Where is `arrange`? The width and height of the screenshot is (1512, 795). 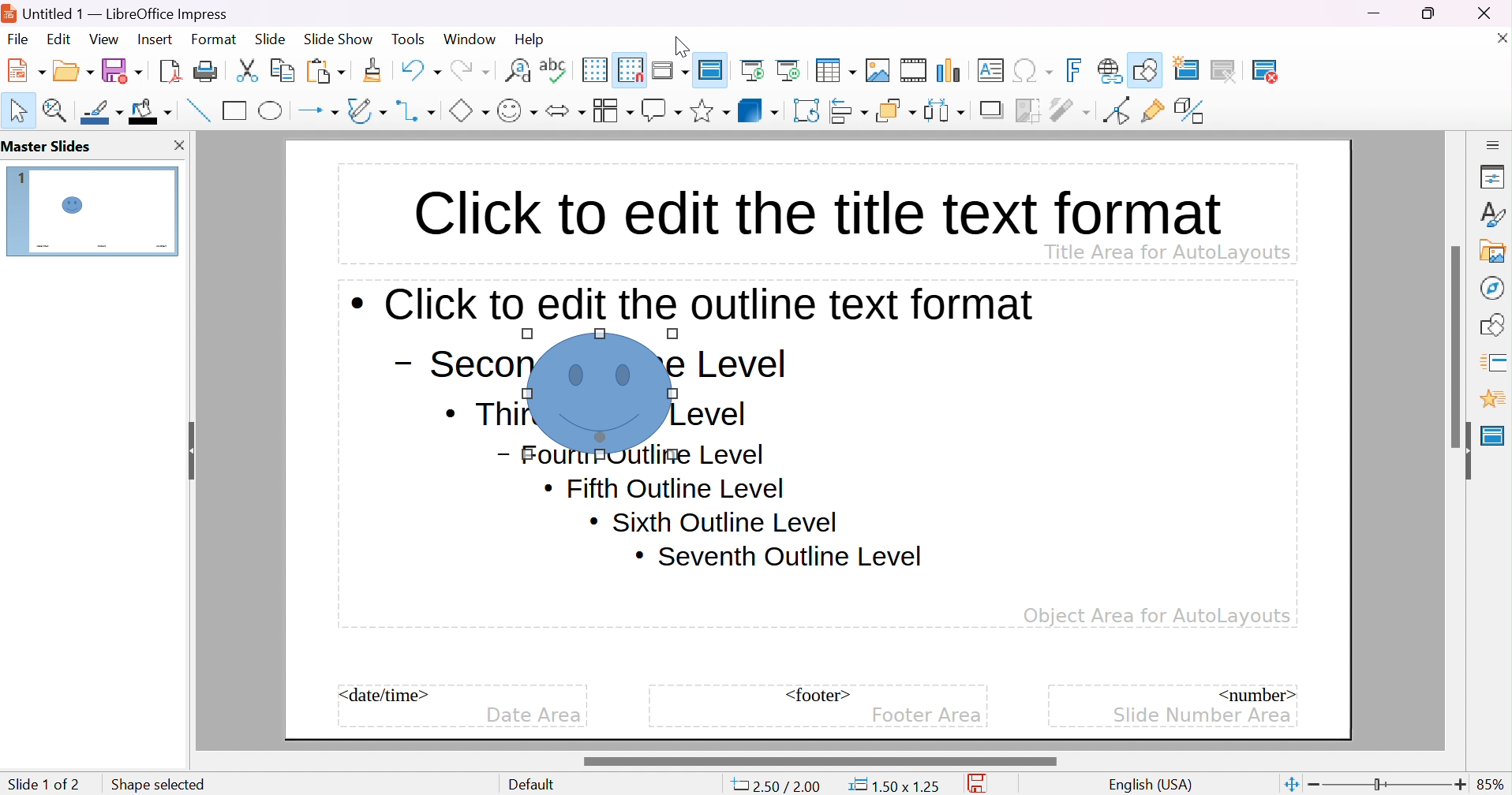 arrange is located at coordinates (896, 110).